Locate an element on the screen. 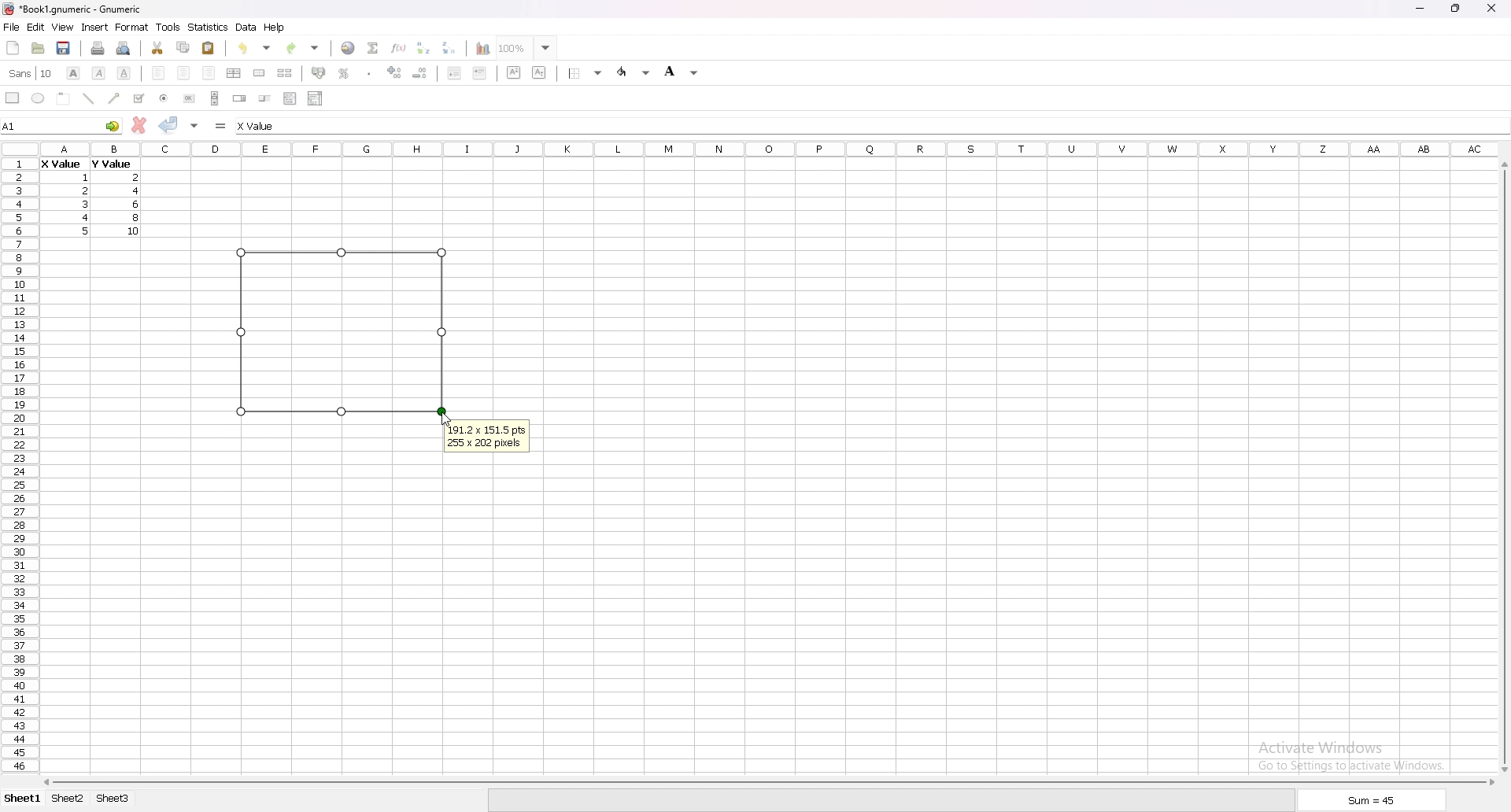  print is located at coordinates (98, 48).